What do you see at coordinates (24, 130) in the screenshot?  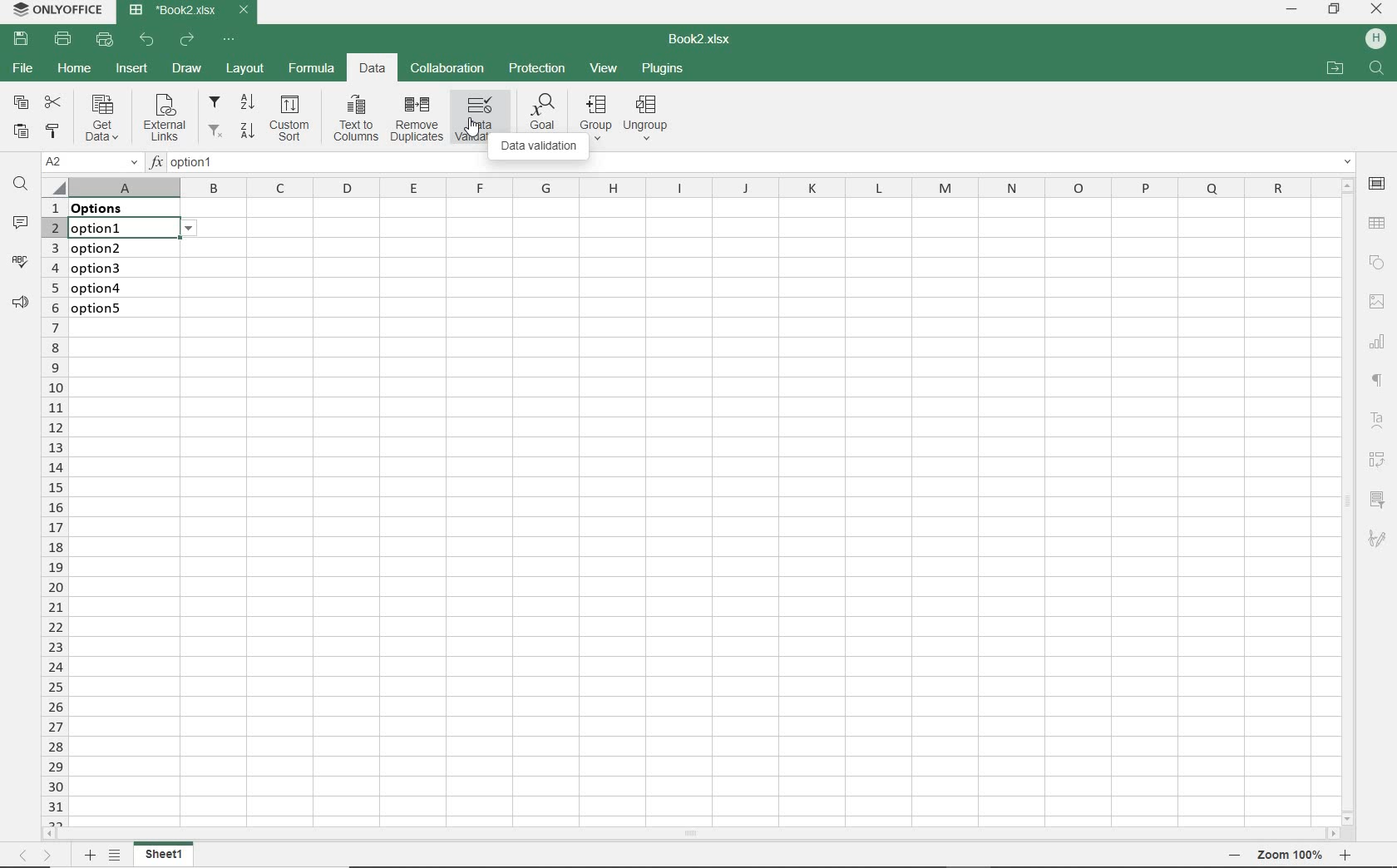 I see `PASTE` at bounding box center [24, 130].